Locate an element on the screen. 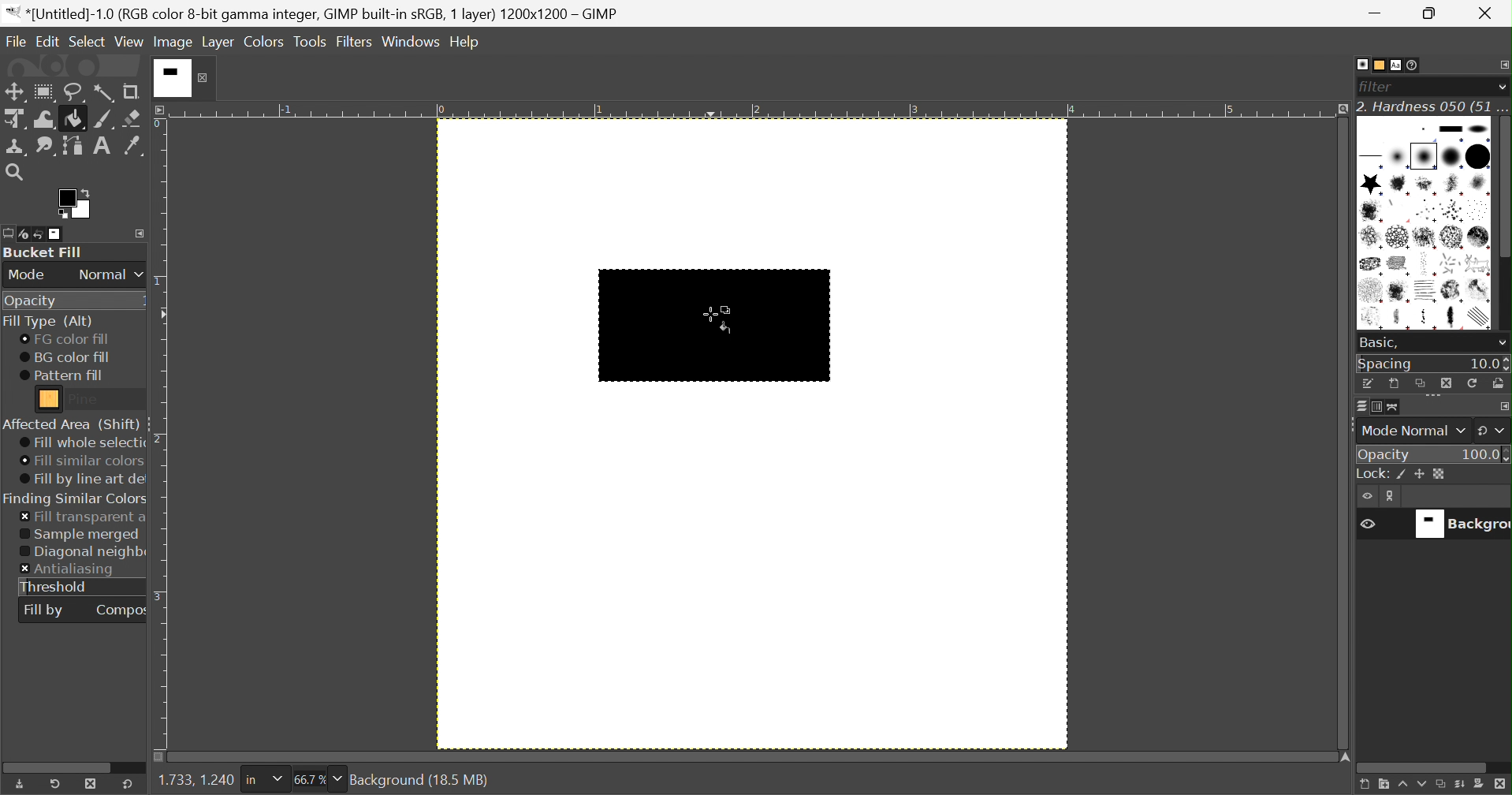 The image size is (1512, 795). 1 is located at coordinates (599, 110).